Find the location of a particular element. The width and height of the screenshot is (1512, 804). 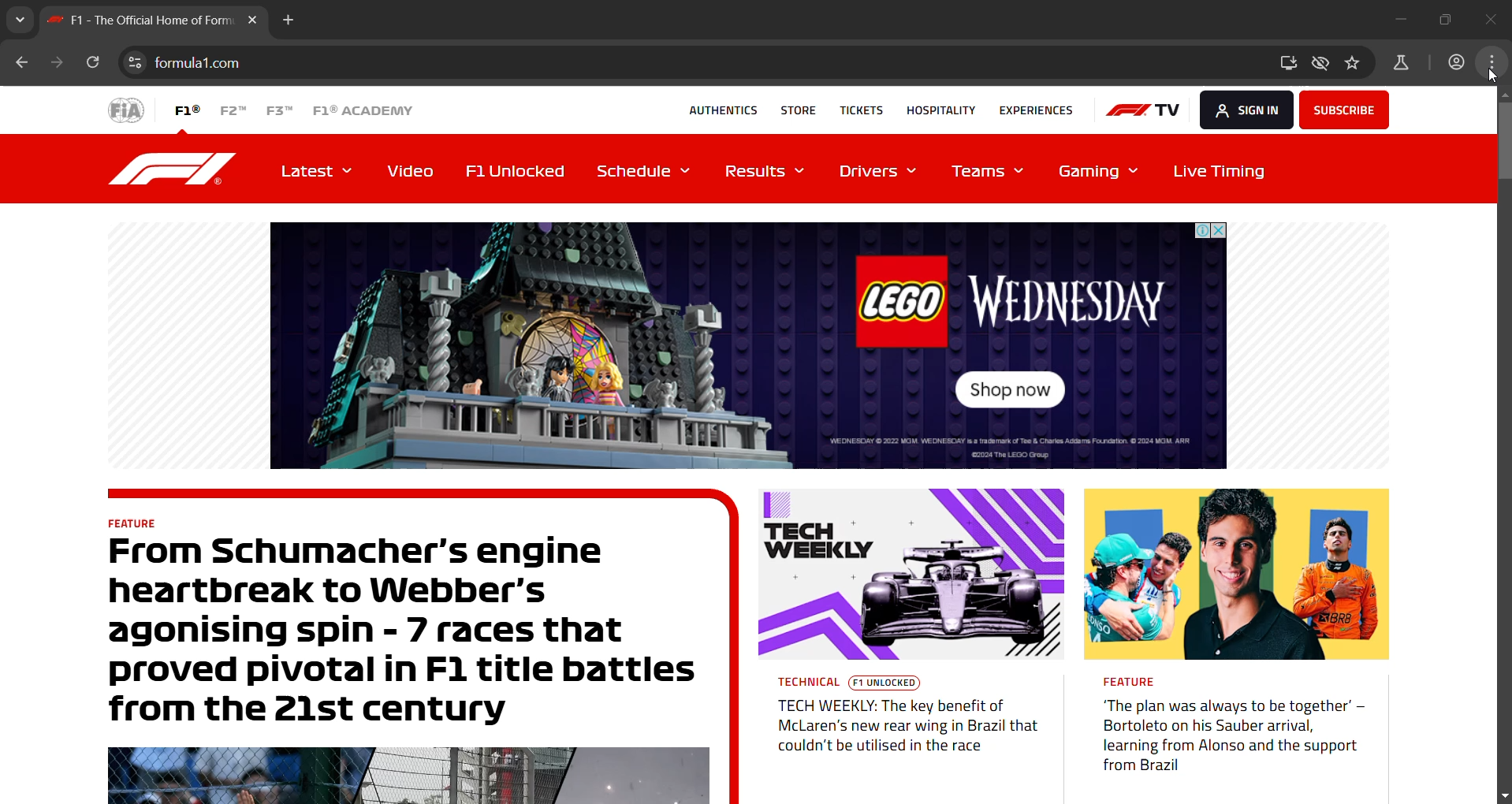

Results is located at coordinates (759, 170).